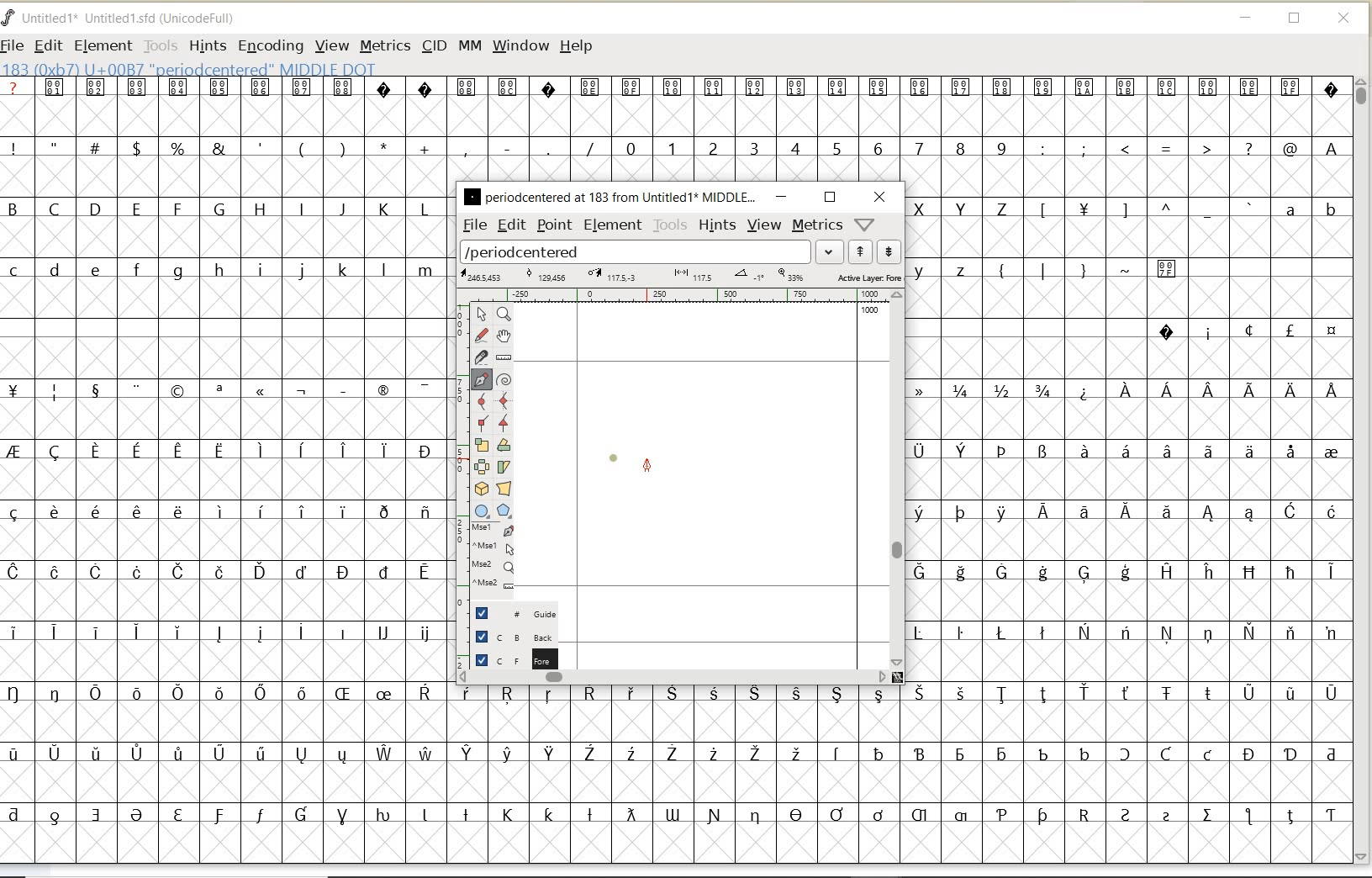 This screenshot has width=1372, height=878. Describe the element at coordinates (504, 489) in the screenshot. I see `perform a perspective transformation on the selection` at that location.